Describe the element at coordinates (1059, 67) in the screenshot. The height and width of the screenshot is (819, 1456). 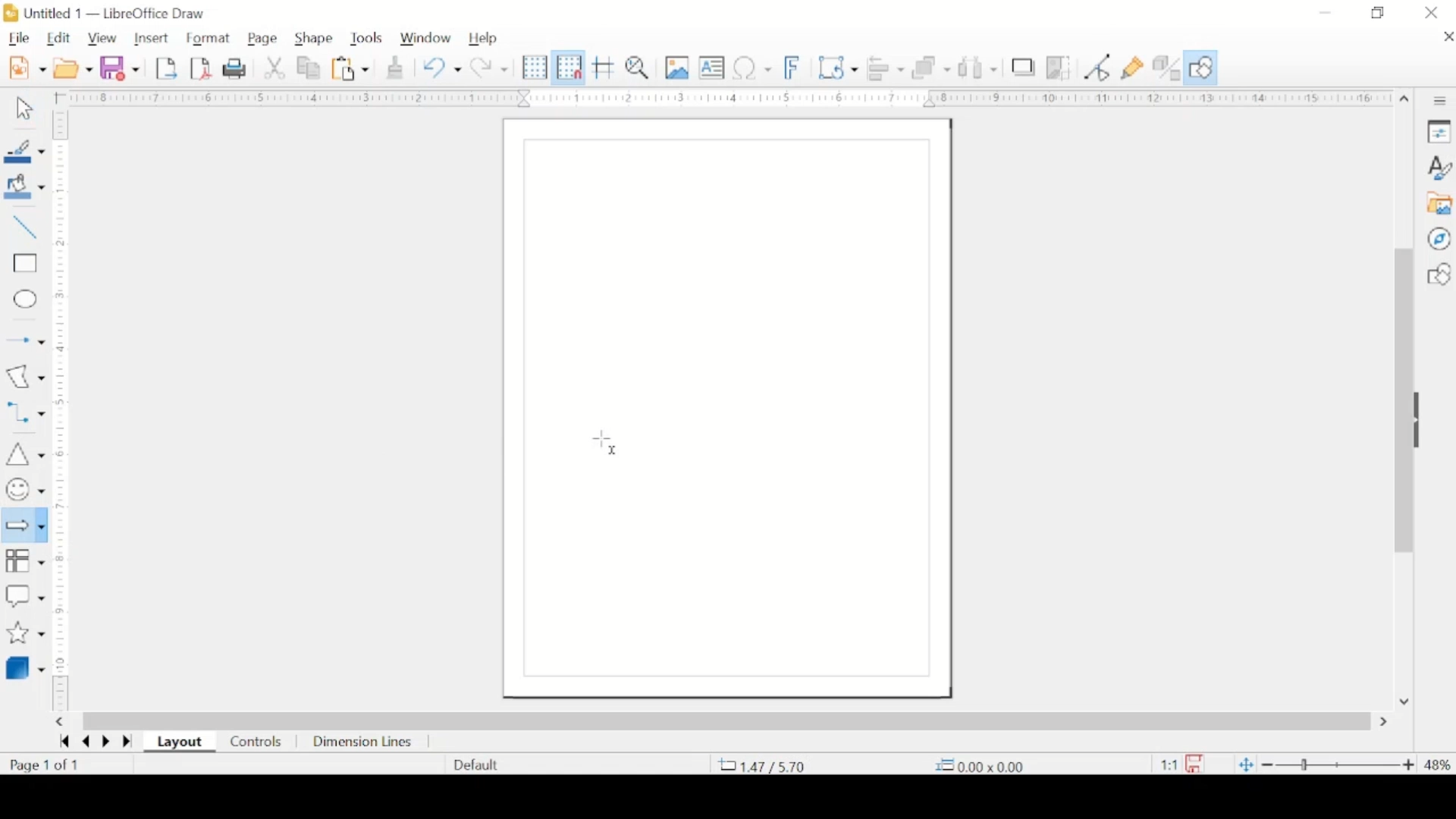
I see `crop image` at that location.